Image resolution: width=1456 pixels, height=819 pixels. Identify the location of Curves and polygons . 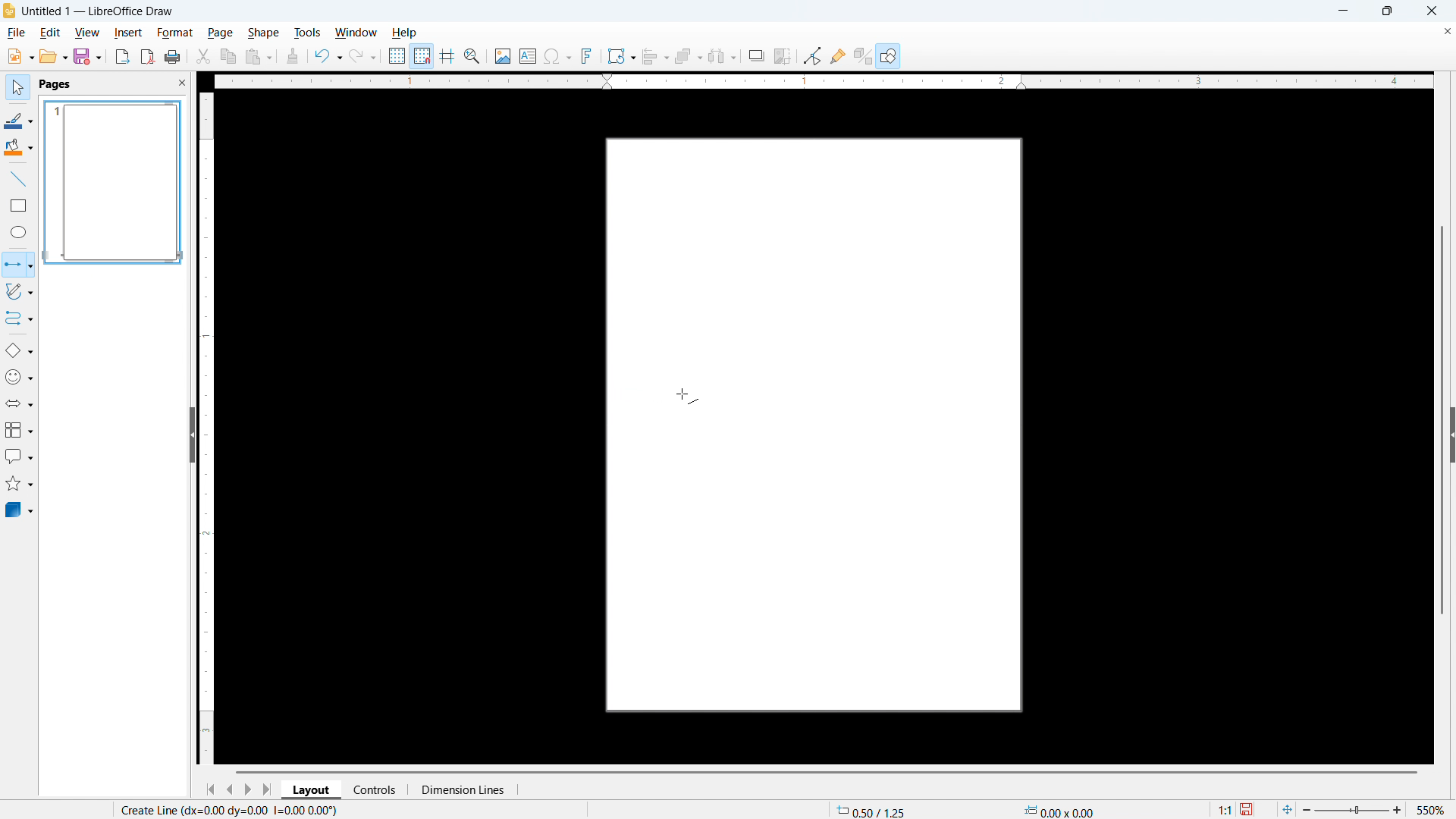
(19, 292).